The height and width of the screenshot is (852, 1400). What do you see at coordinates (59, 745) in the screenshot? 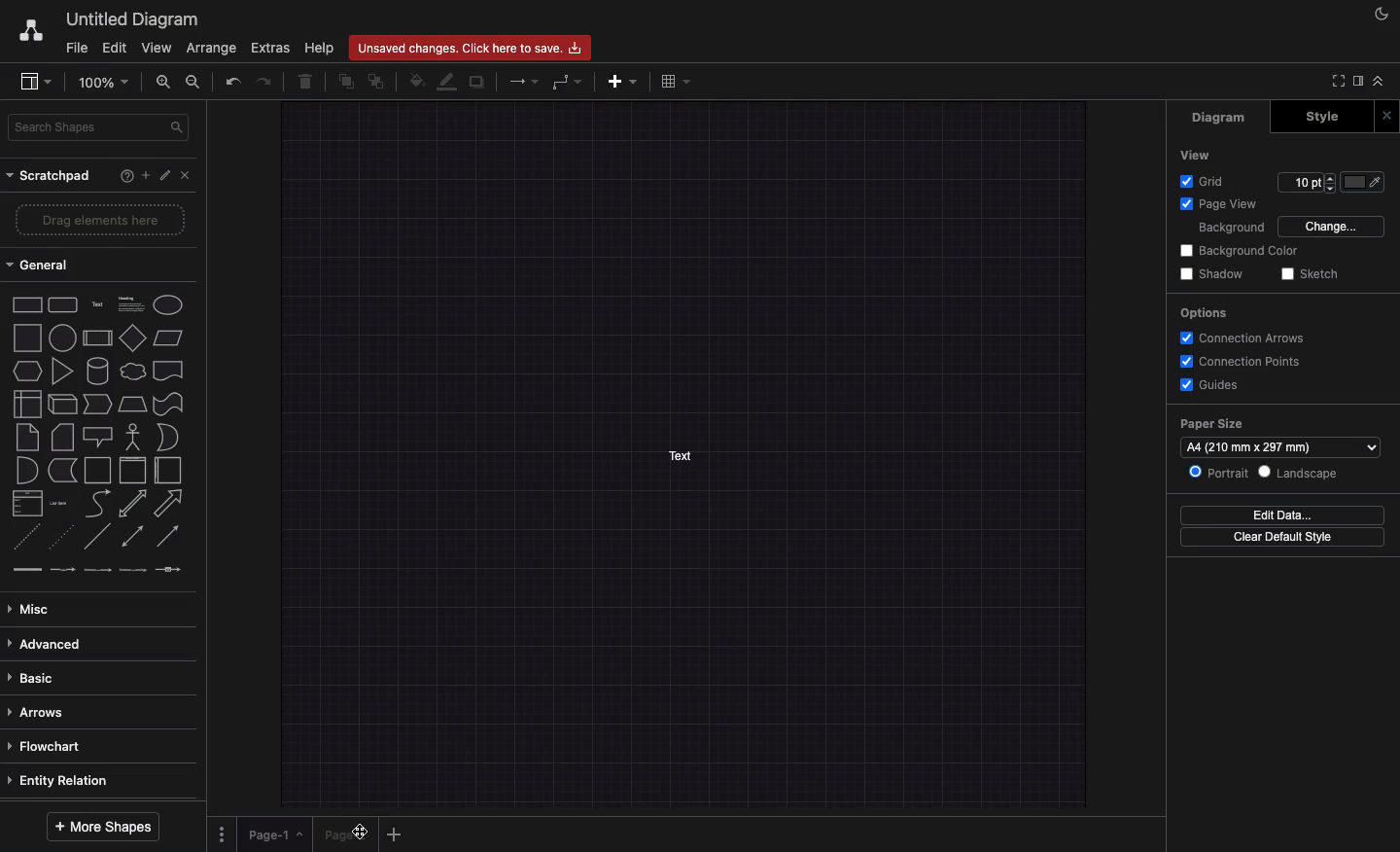
I see `Flowchart` at bounding box center [59, 745].